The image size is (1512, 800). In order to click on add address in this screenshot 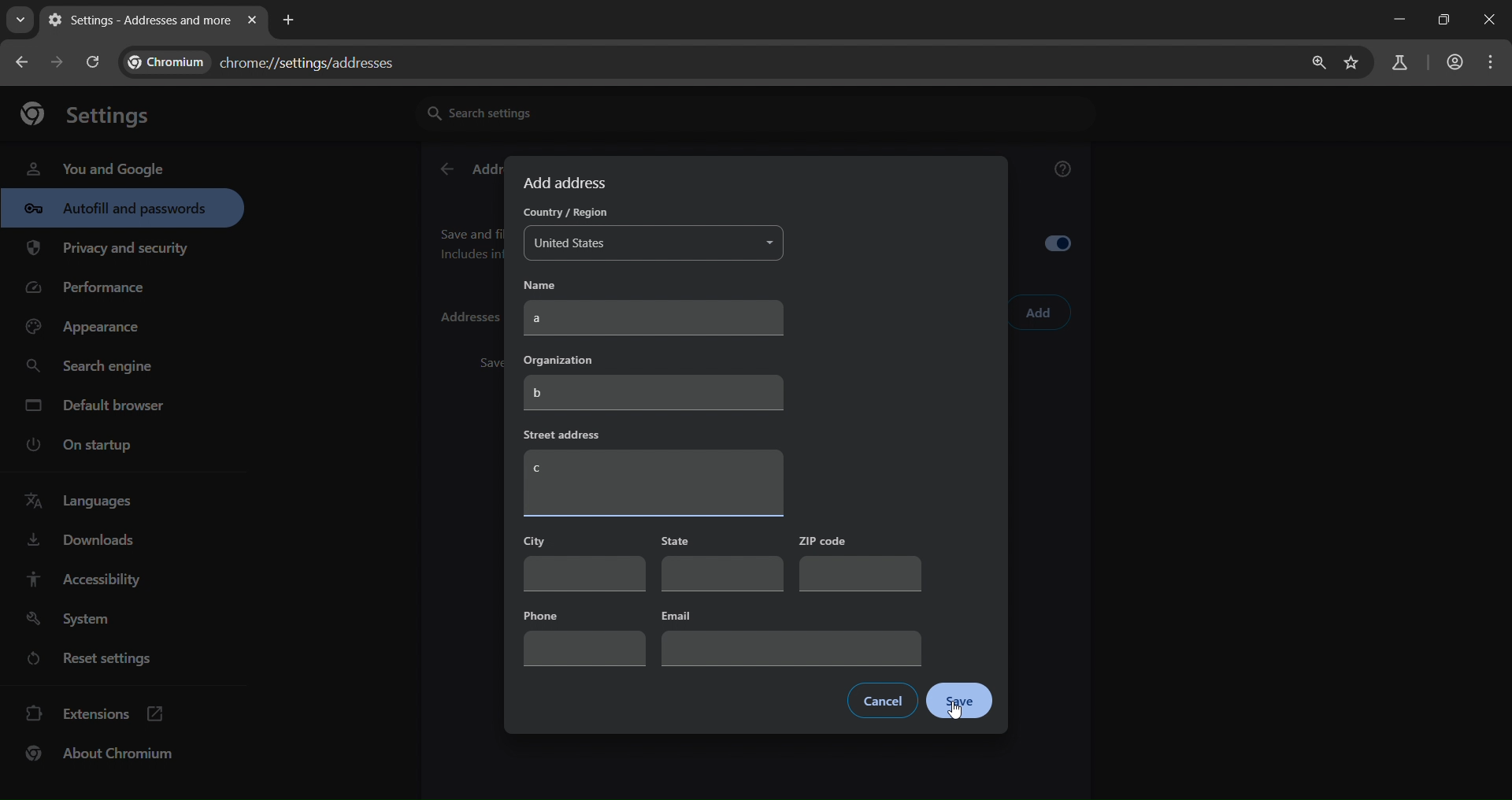, I will do `click(568, 183)`.